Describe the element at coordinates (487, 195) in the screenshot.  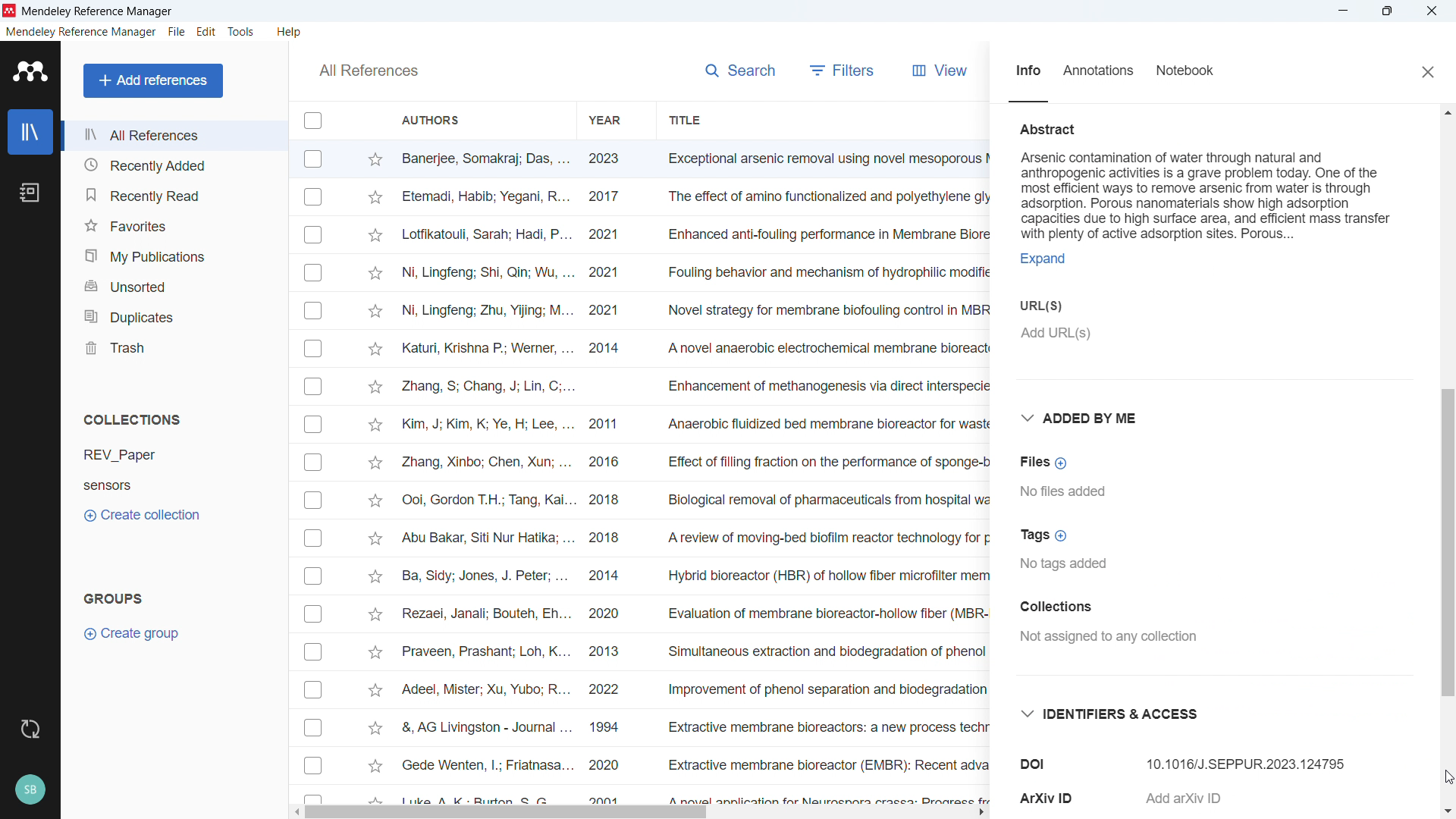
I see `etemadi,habib,yegani,r` at that location.